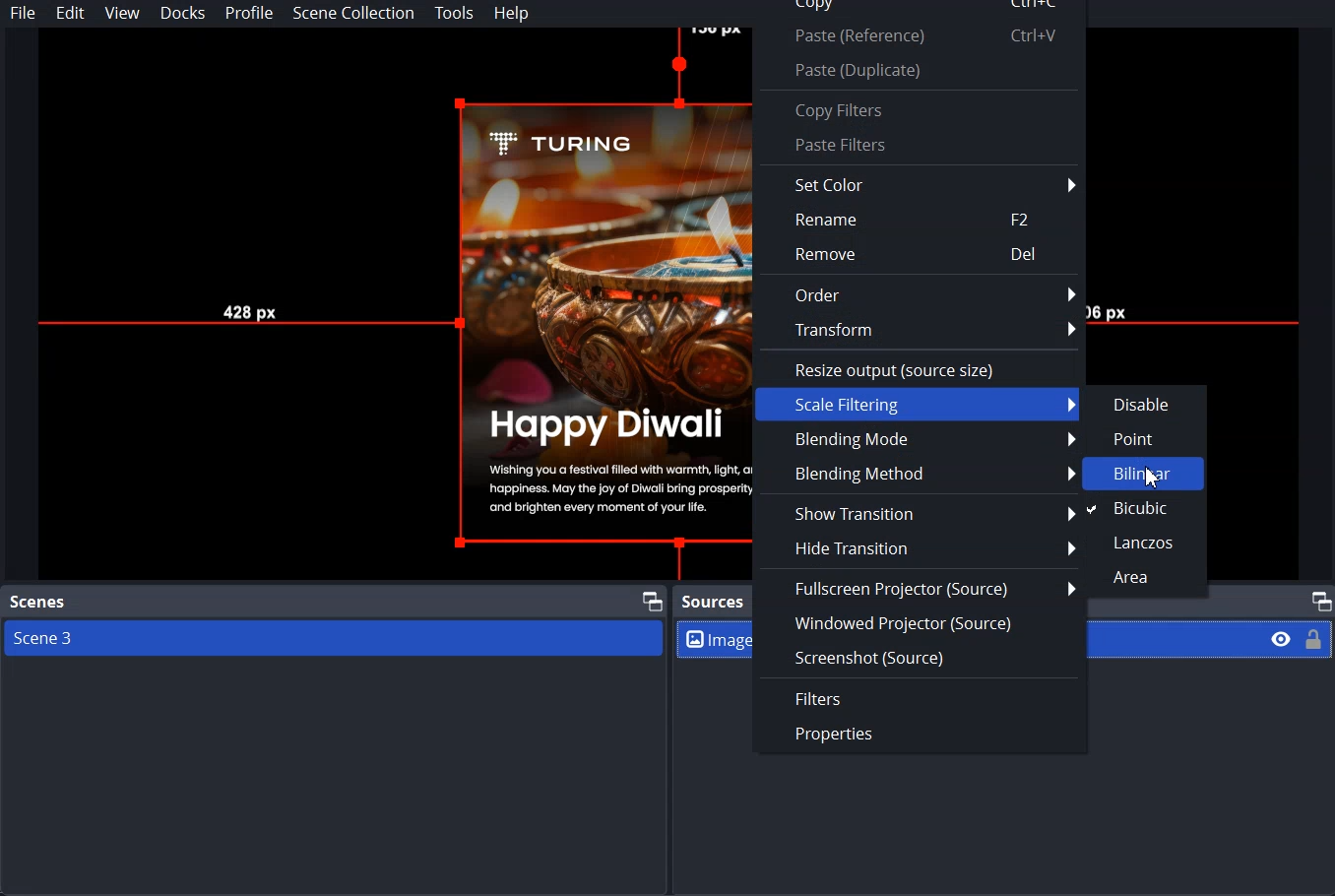  What do you see at coordinates (38, 603) in the screenshot?
I see `Text` at bounding box center [38, 603].